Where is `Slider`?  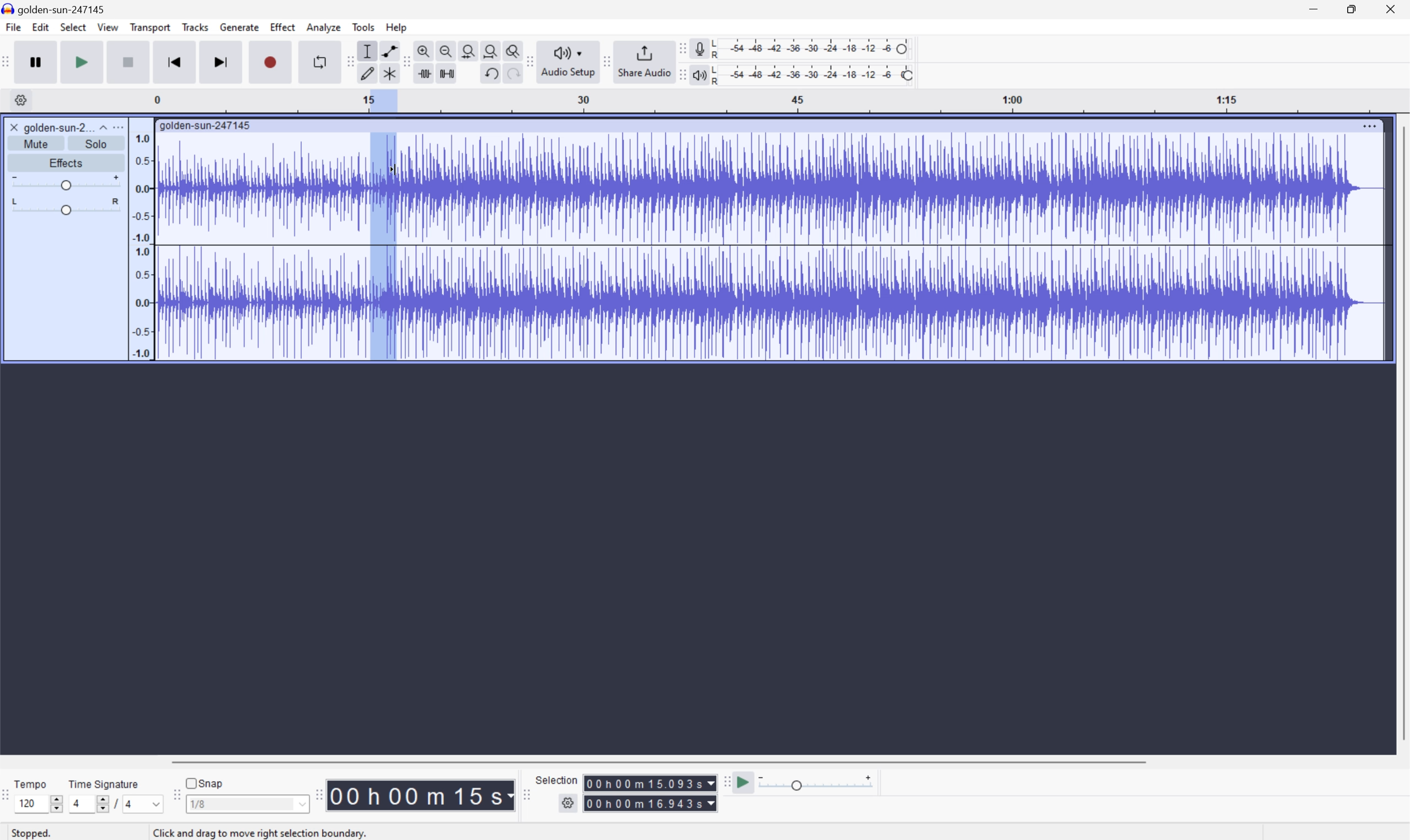
Slider is located at coordinates (96, 806).